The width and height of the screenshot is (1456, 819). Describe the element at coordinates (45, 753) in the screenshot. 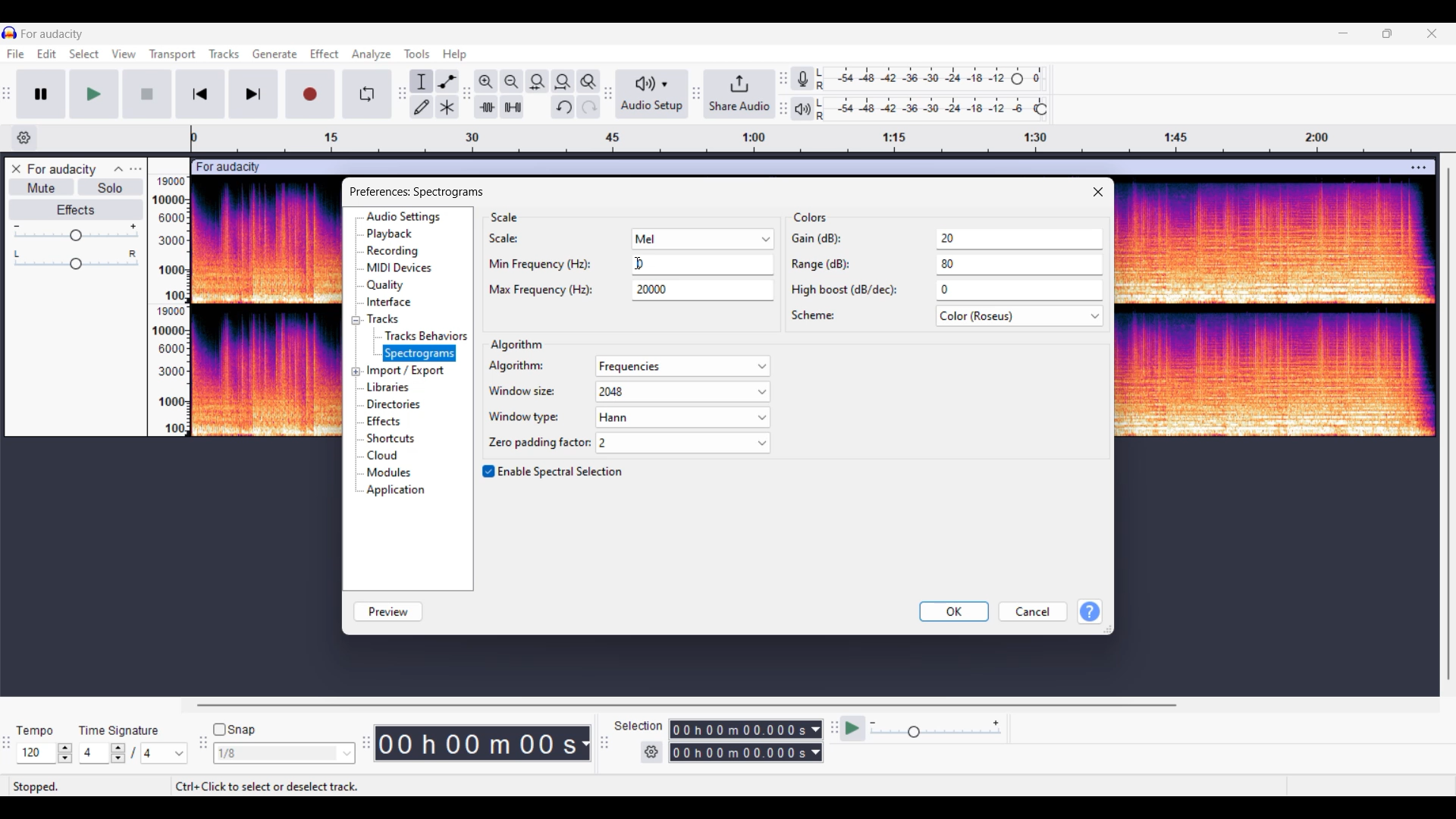

I see `Tempo settings` at that location.